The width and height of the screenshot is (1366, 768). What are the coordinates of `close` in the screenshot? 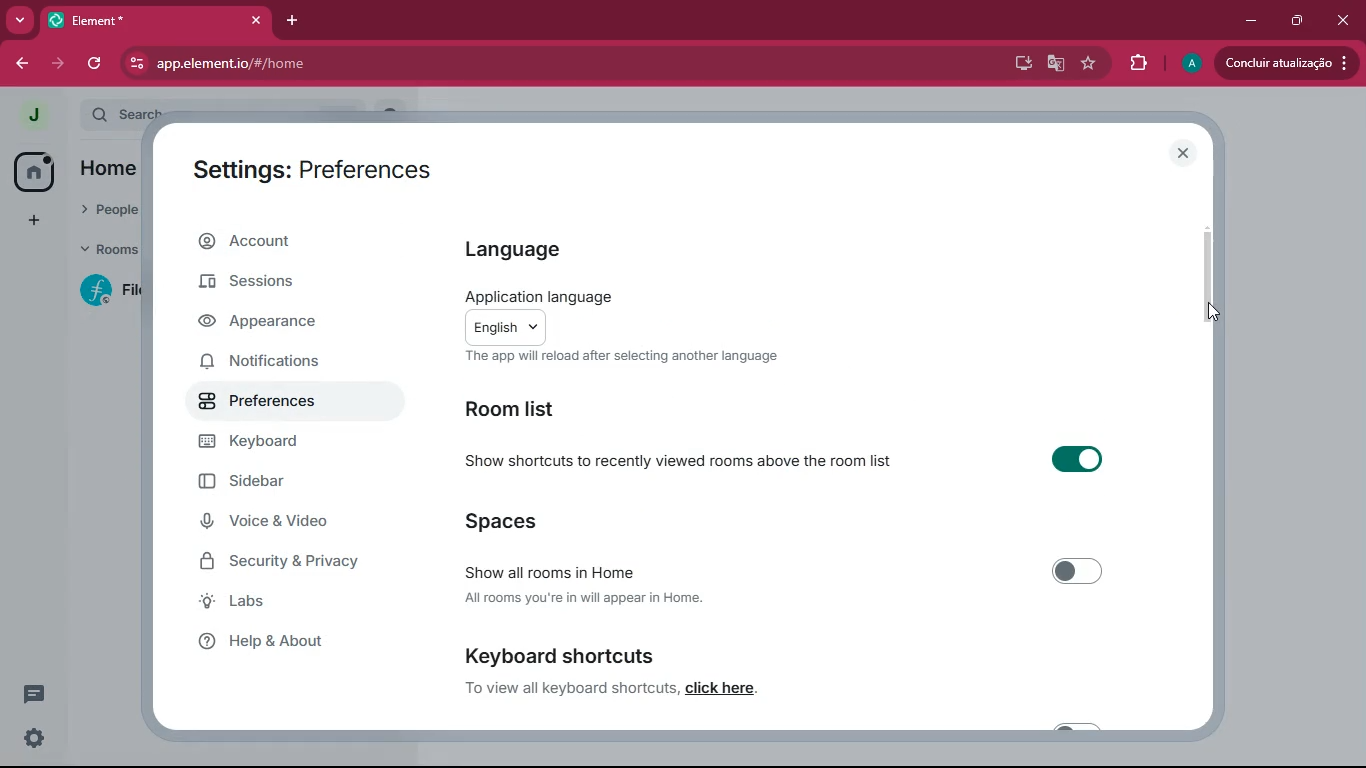 It's located at (1182, 155).